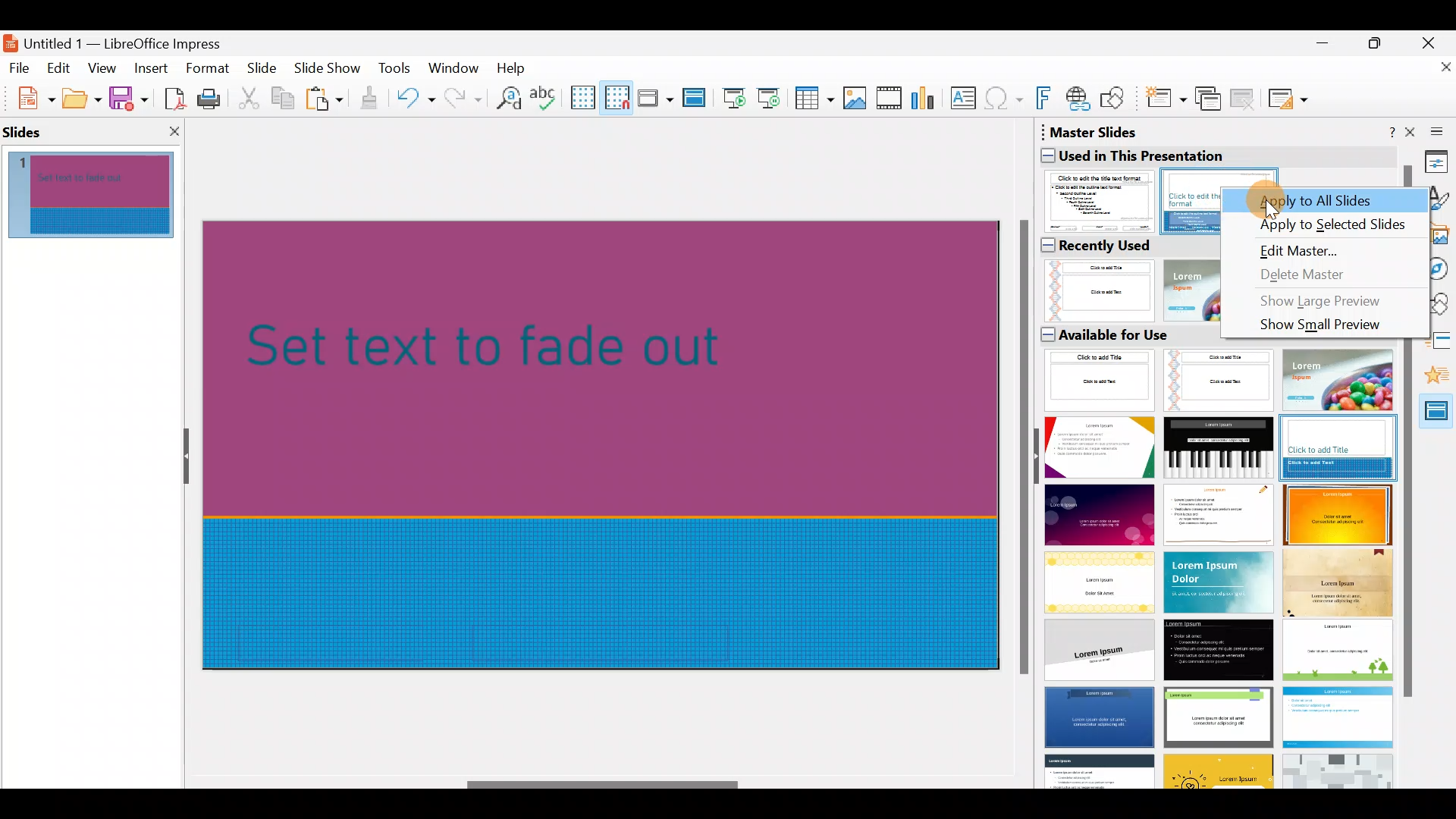  I want to click on Master slides used in this presentation, so click(1221, 143).